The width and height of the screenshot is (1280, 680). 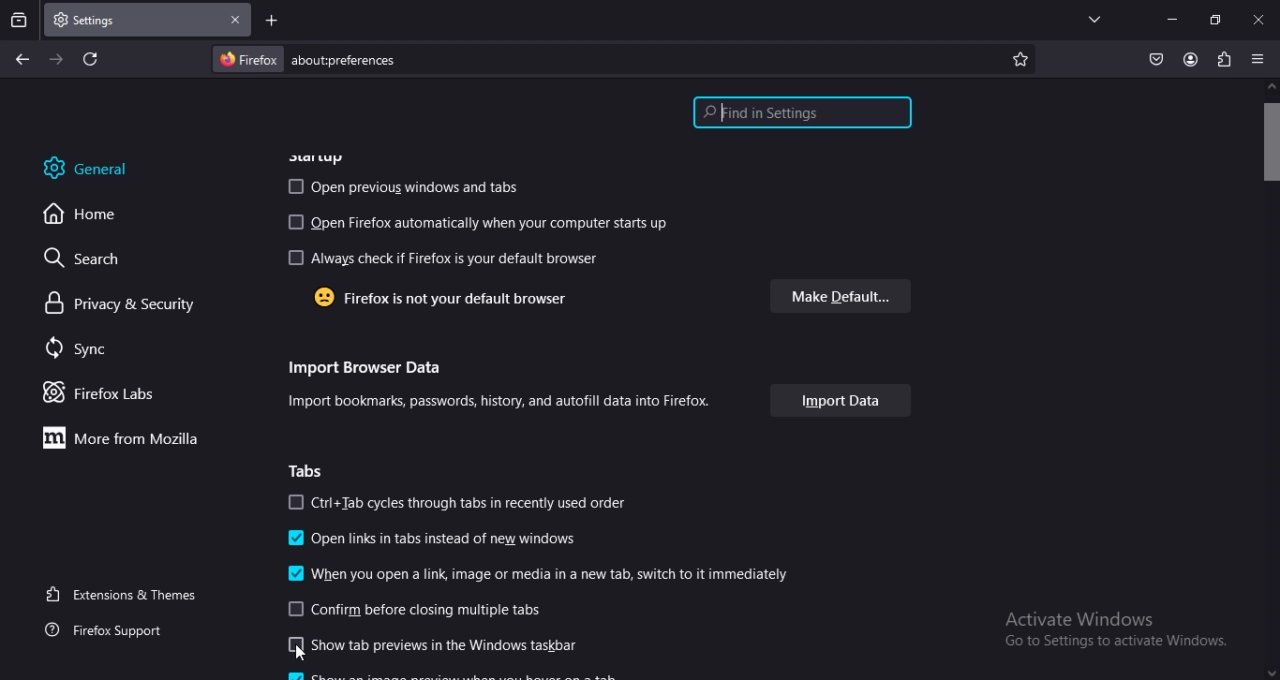 I want to click on restore down, so click(x=1214, y=20).